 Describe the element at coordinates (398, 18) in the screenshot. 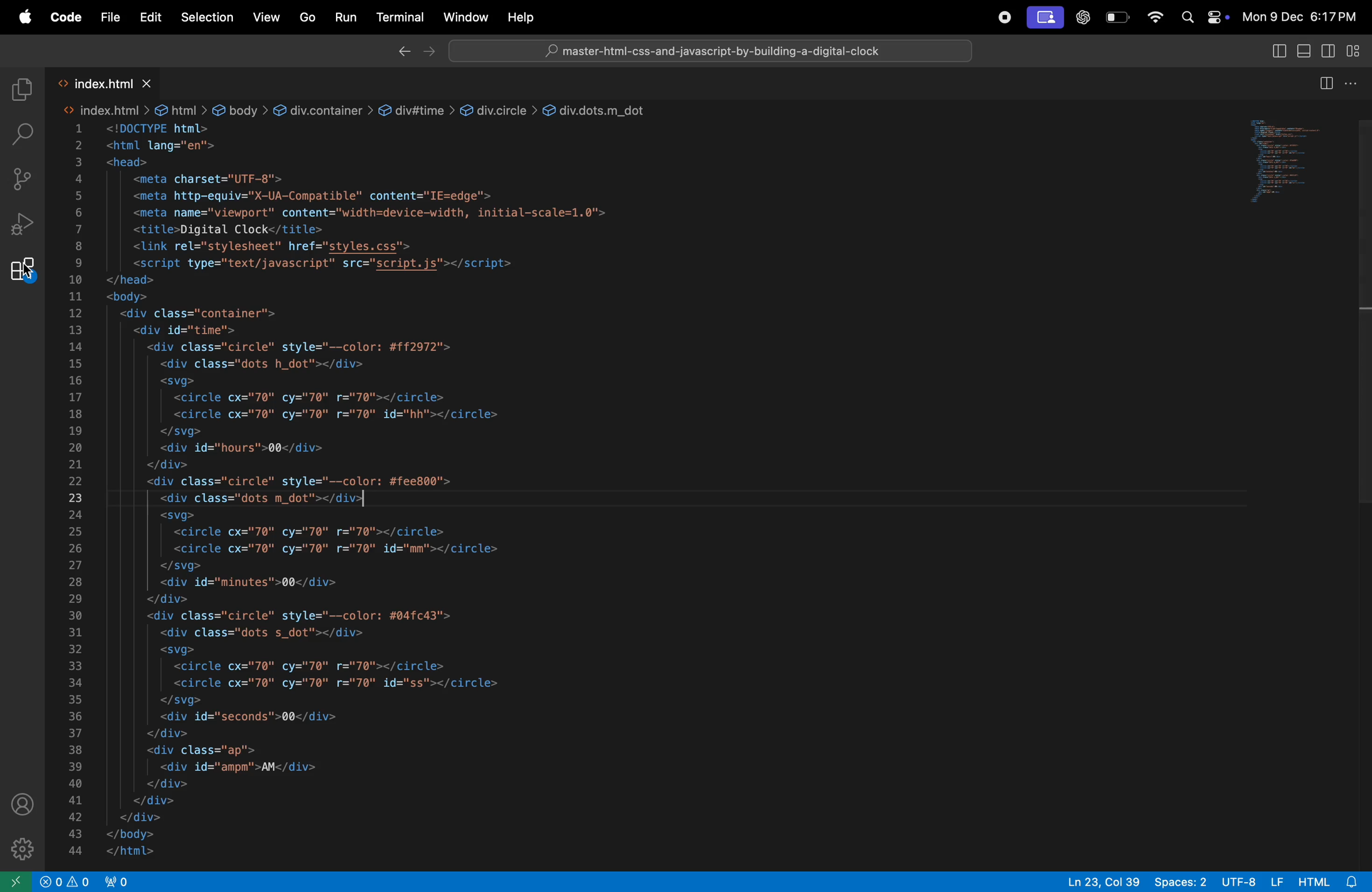

I see `Terminal` at that location.